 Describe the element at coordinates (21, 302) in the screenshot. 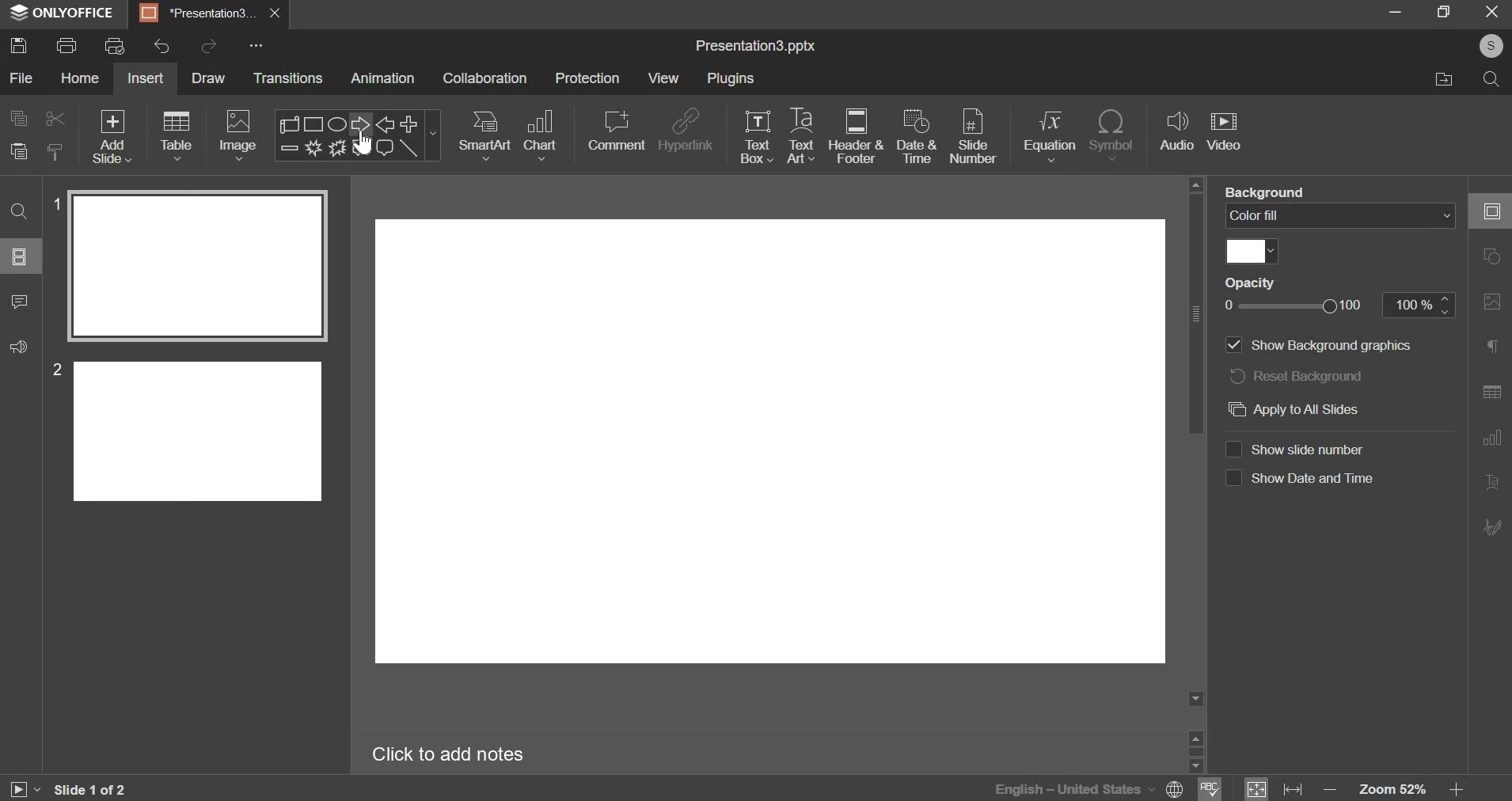

I see `comment` at that location.